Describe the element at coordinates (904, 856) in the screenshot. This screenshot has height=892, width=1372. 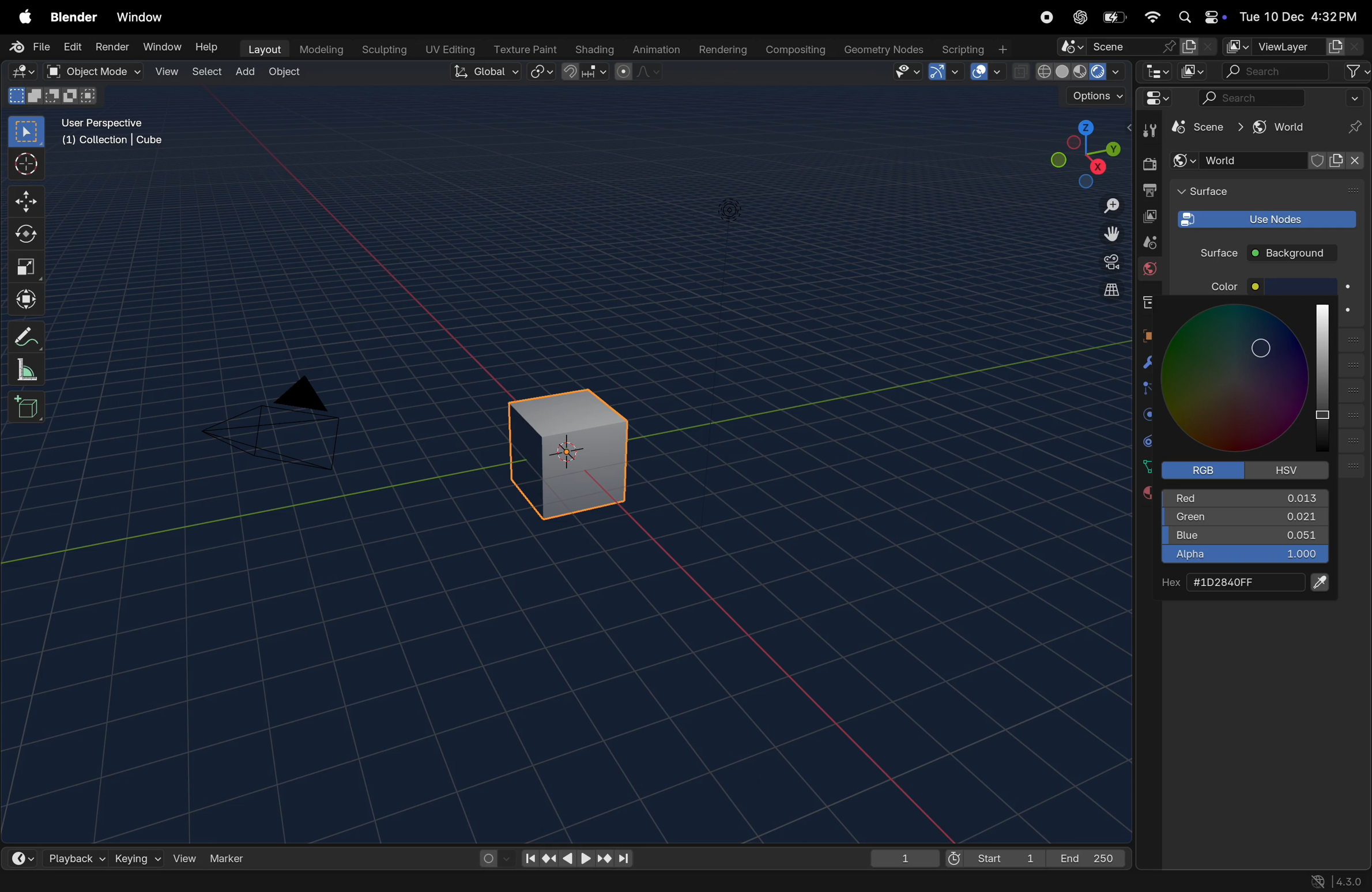
I see `1` at that location.